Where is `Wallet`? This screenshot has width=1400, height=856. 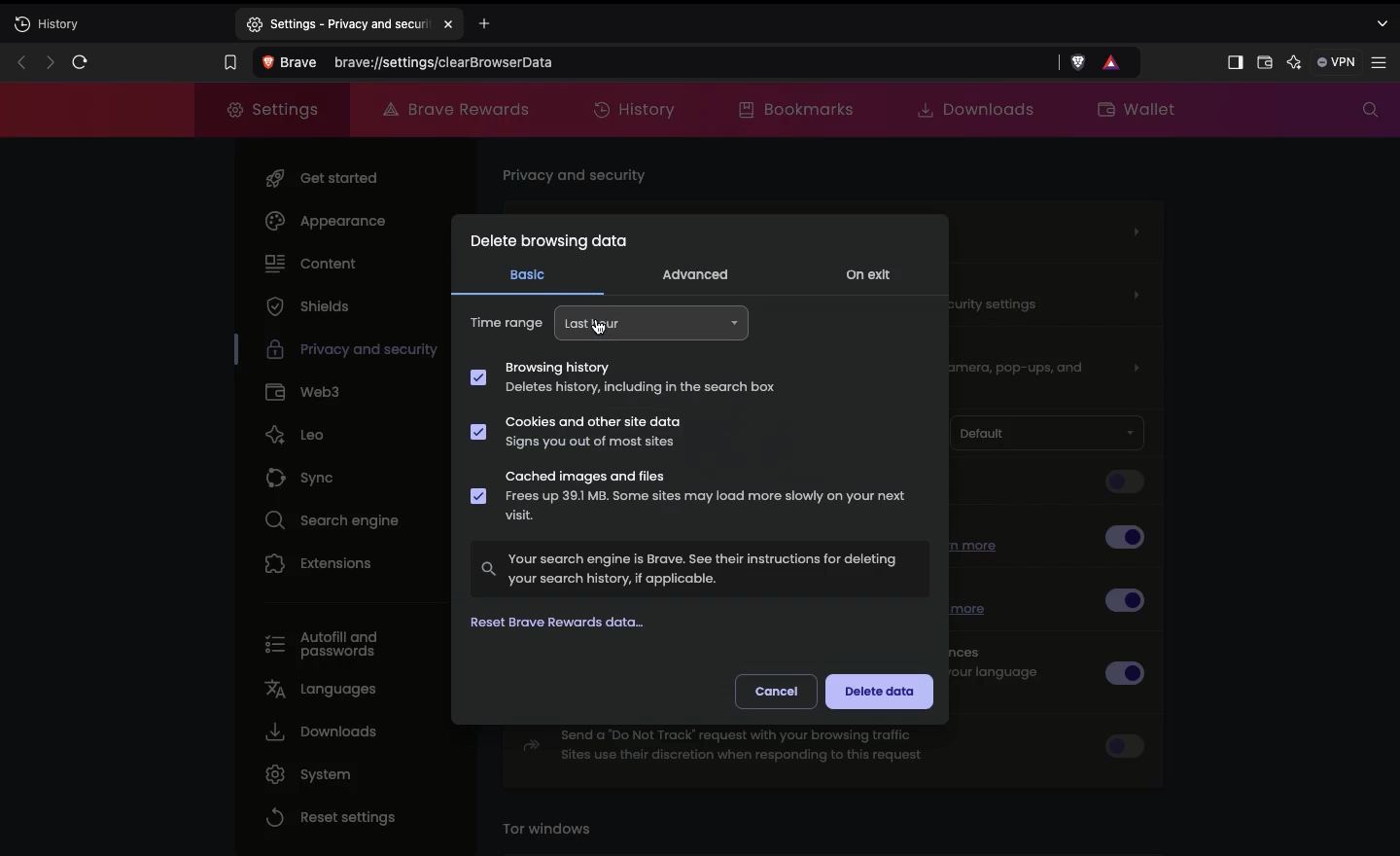 Wallet is located at coordinates (1135, 111).